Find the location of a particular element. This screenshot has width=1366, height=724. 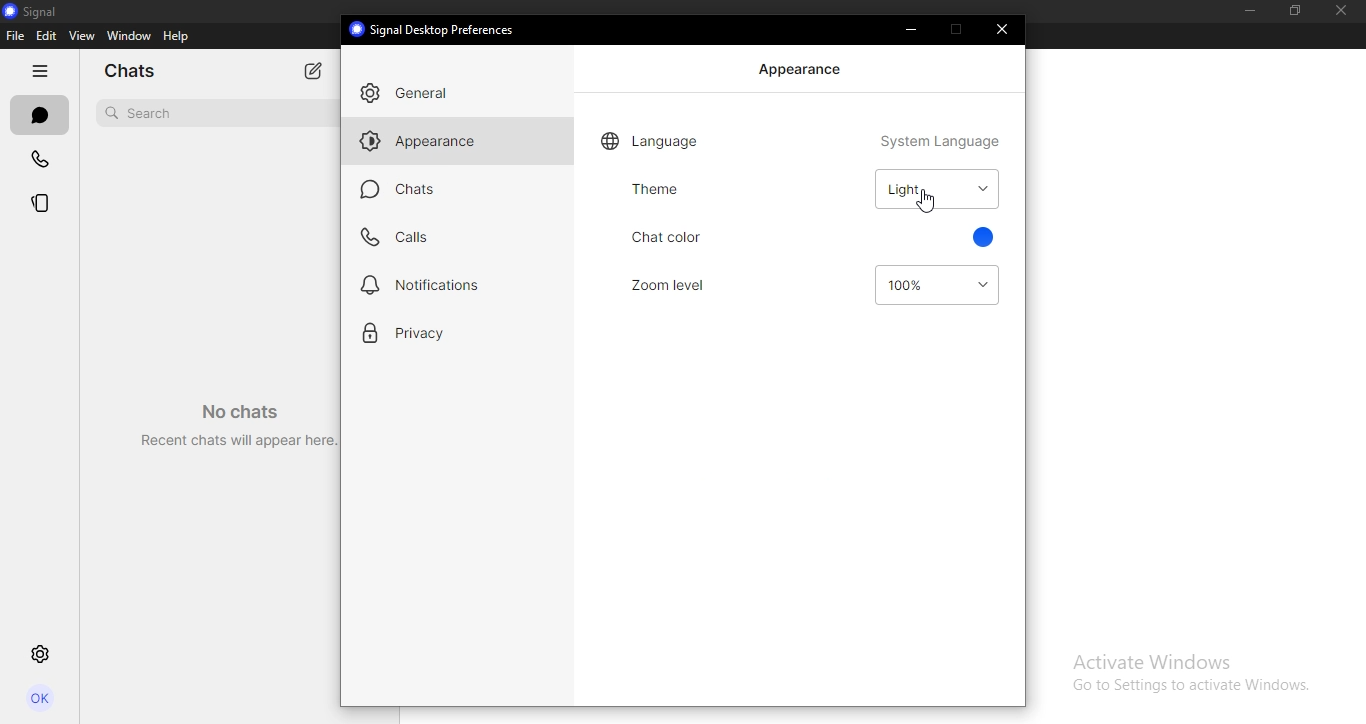

restore down is located at coordinates (1290, 11).